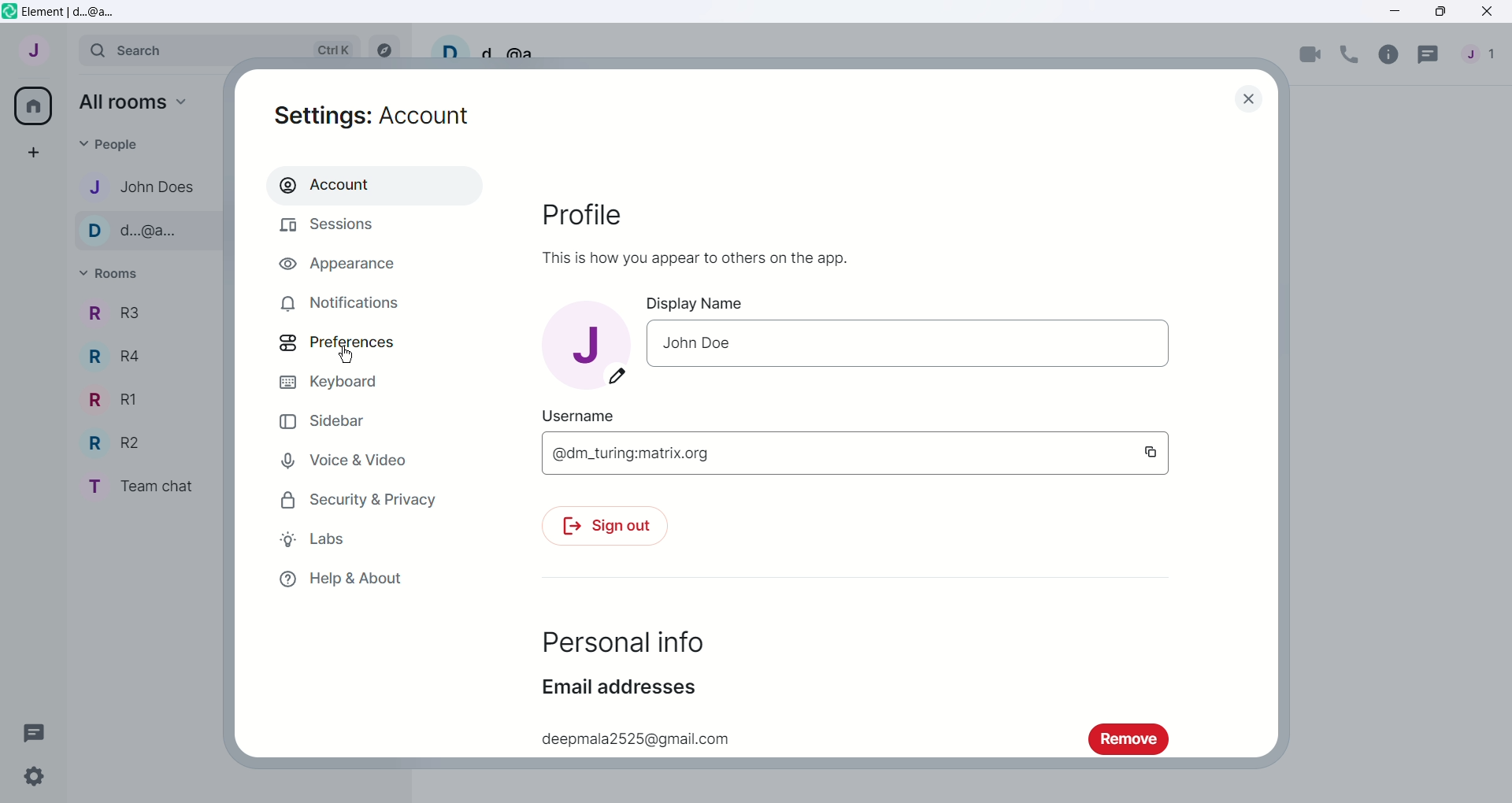  I want to click on Element icon, so click(9, 11).